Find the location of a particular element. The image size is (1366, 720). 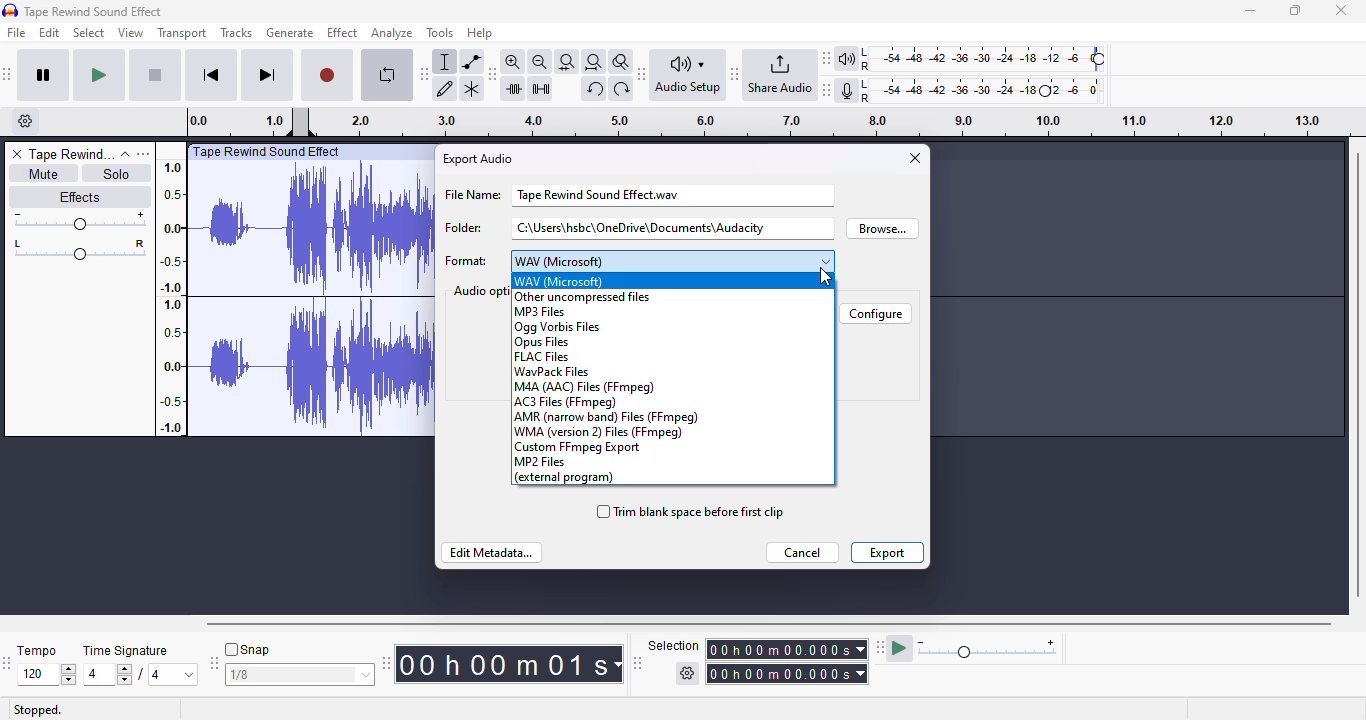

analyze is located at coordinates (393, 33).